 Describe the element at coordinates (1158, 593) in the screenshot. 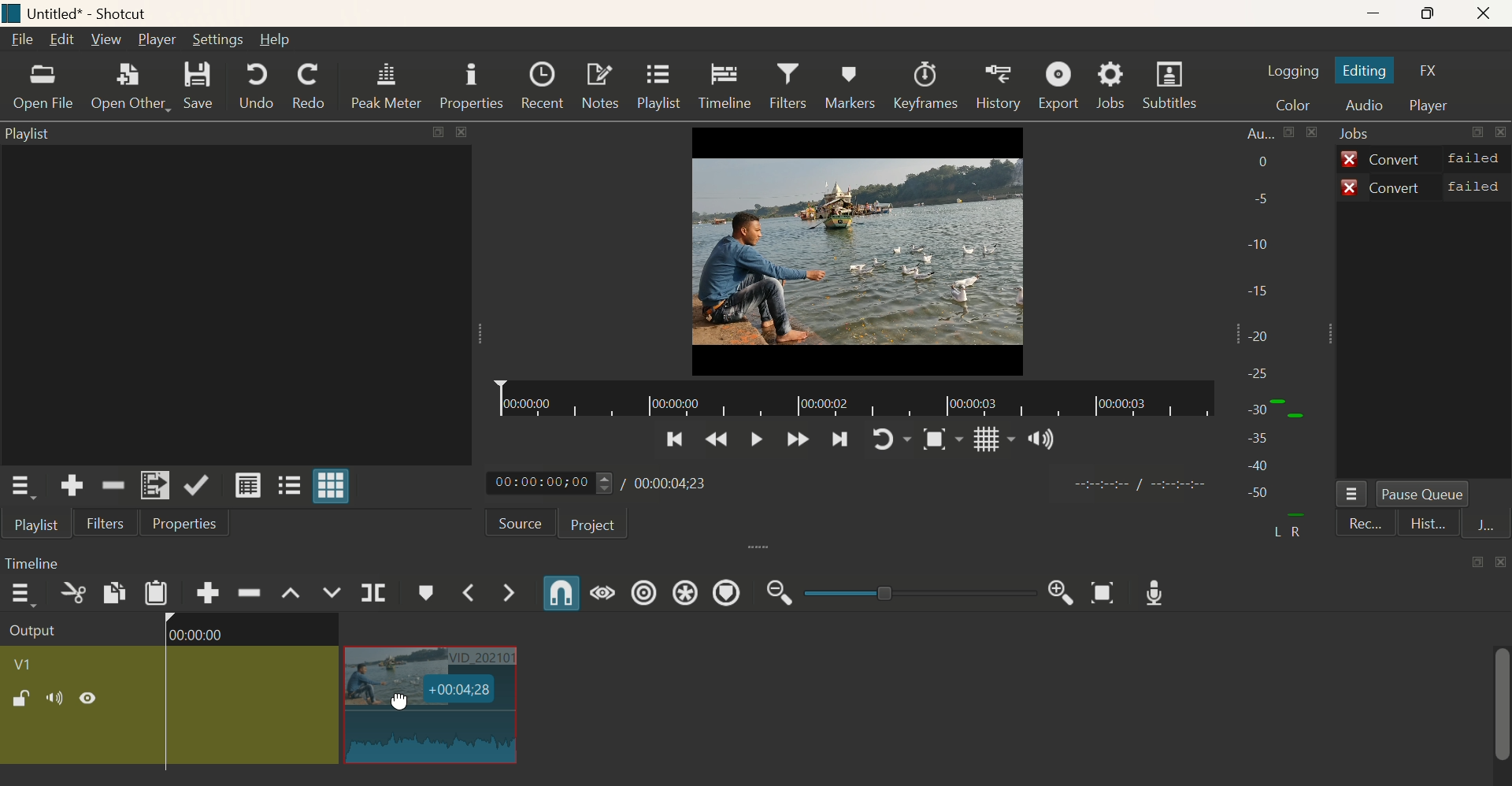

I see `` at that location.